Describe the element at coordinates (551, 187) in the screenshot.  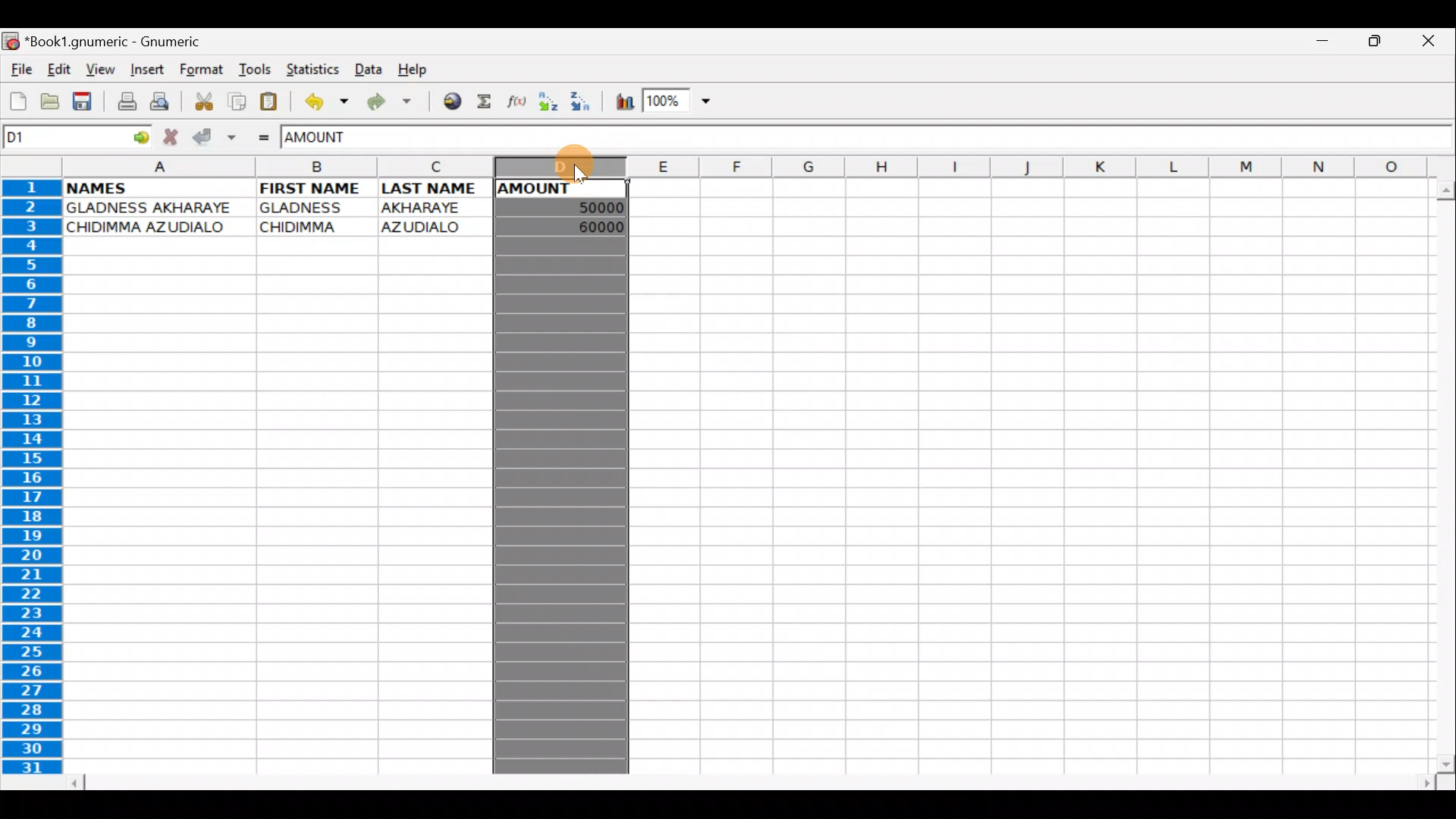
I see `AMOUNT` at that location.